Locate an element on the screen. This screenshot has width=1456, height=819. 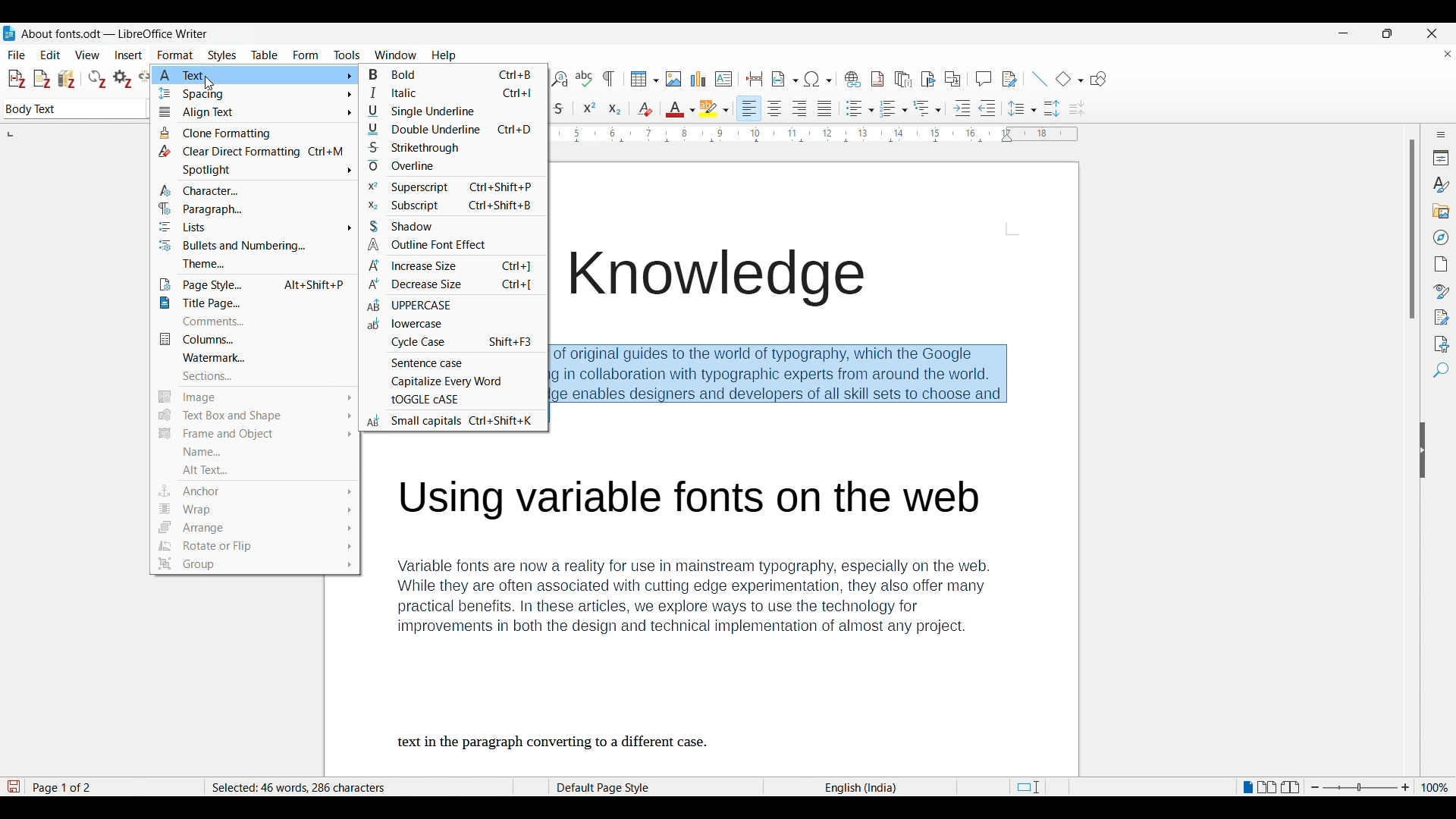
Unordered list is located at coordinates (859, 108).